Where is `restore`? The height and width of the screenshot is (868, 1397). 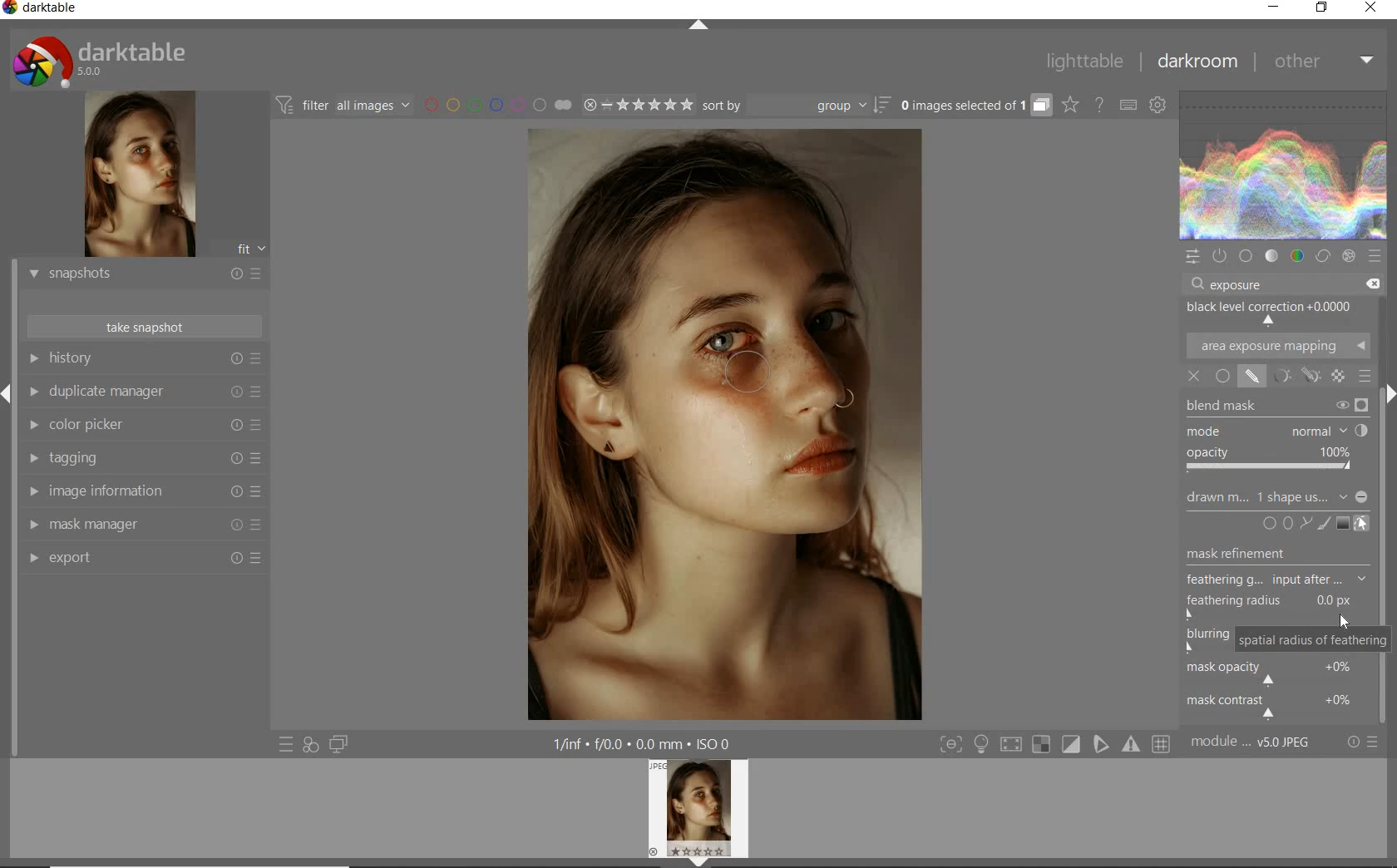 restore is located at coordinates (1322, 11).